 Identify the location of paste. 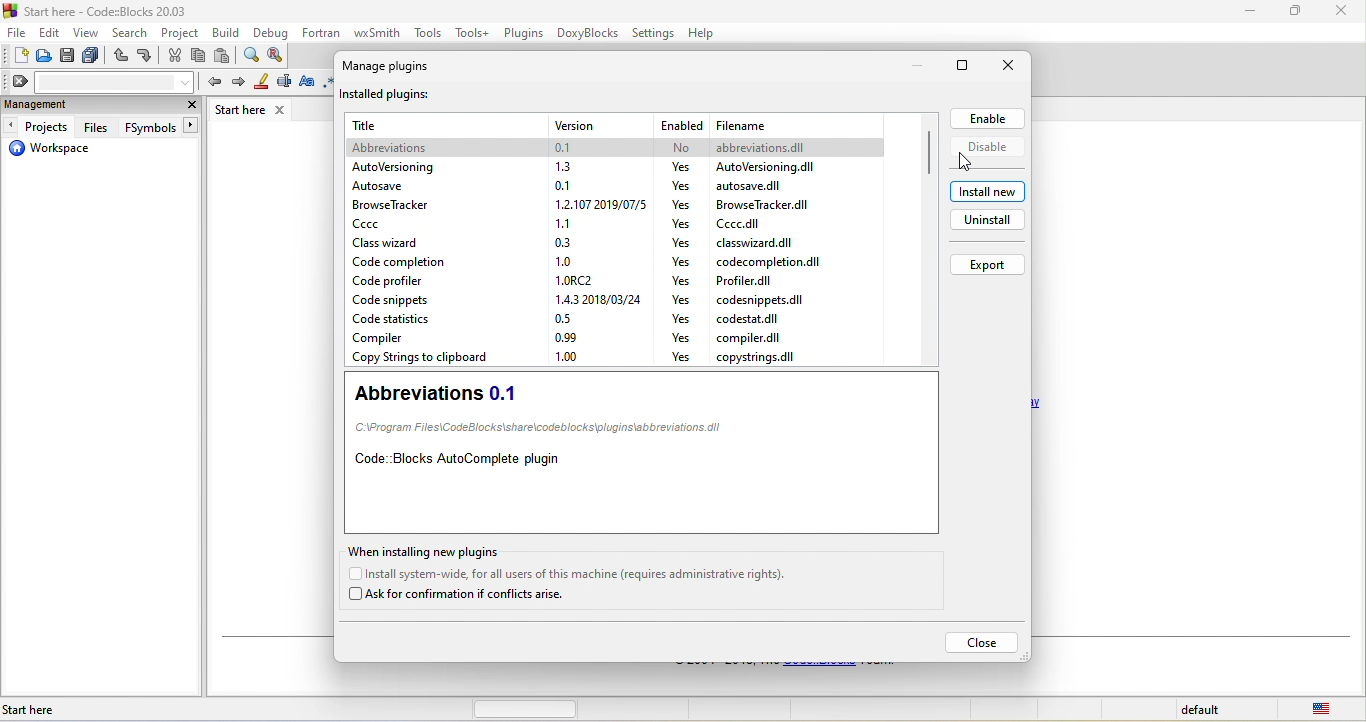
(226, 56).